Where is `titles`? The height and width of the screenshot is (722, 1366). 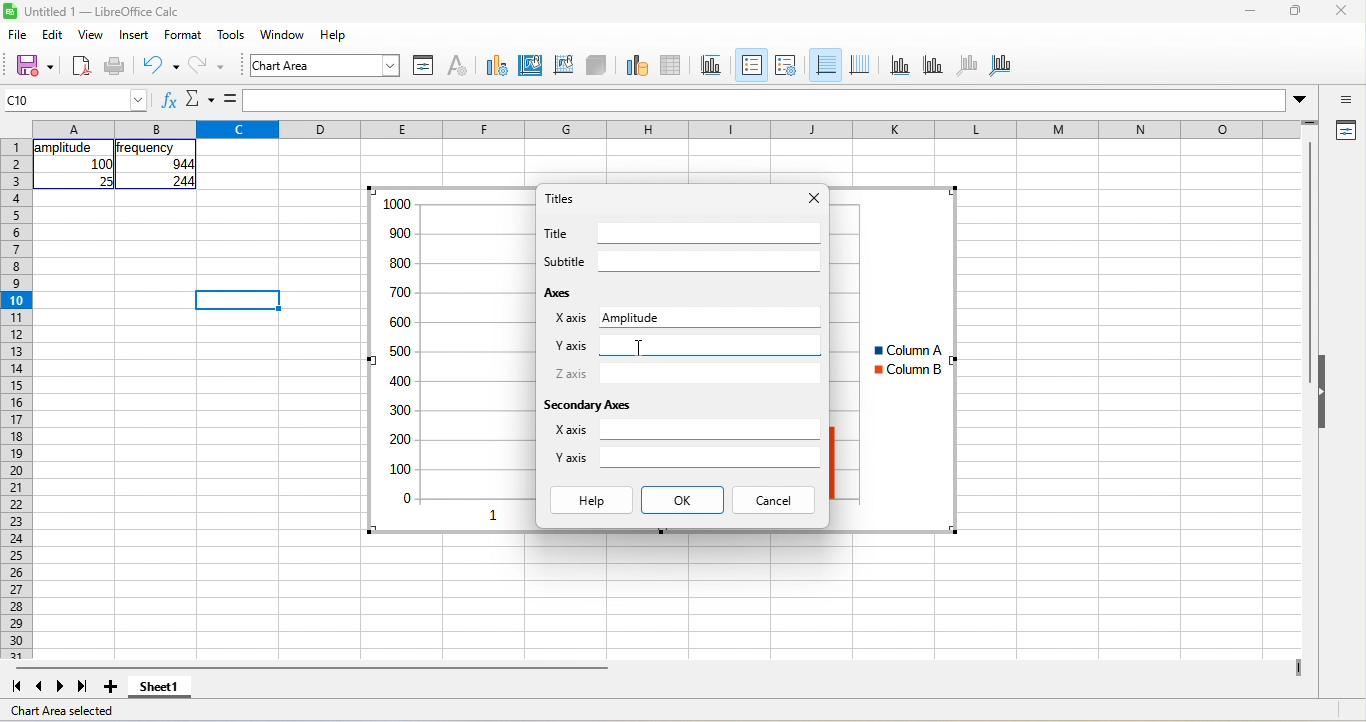
titles is located at coordinates (712, 66).